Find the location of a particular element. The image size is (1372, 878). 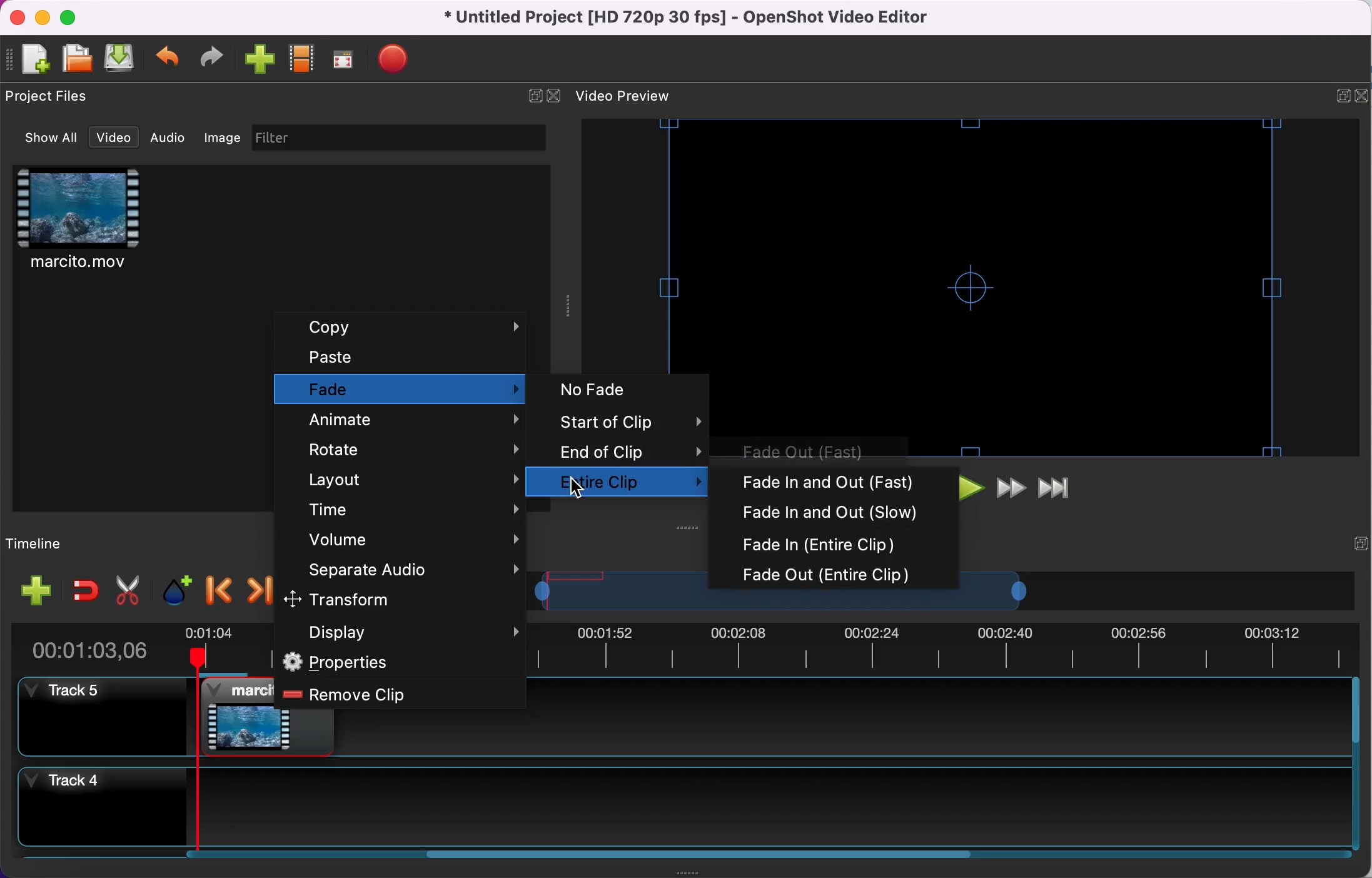

fade out (entire clip) is located at coordinates (837, 575).